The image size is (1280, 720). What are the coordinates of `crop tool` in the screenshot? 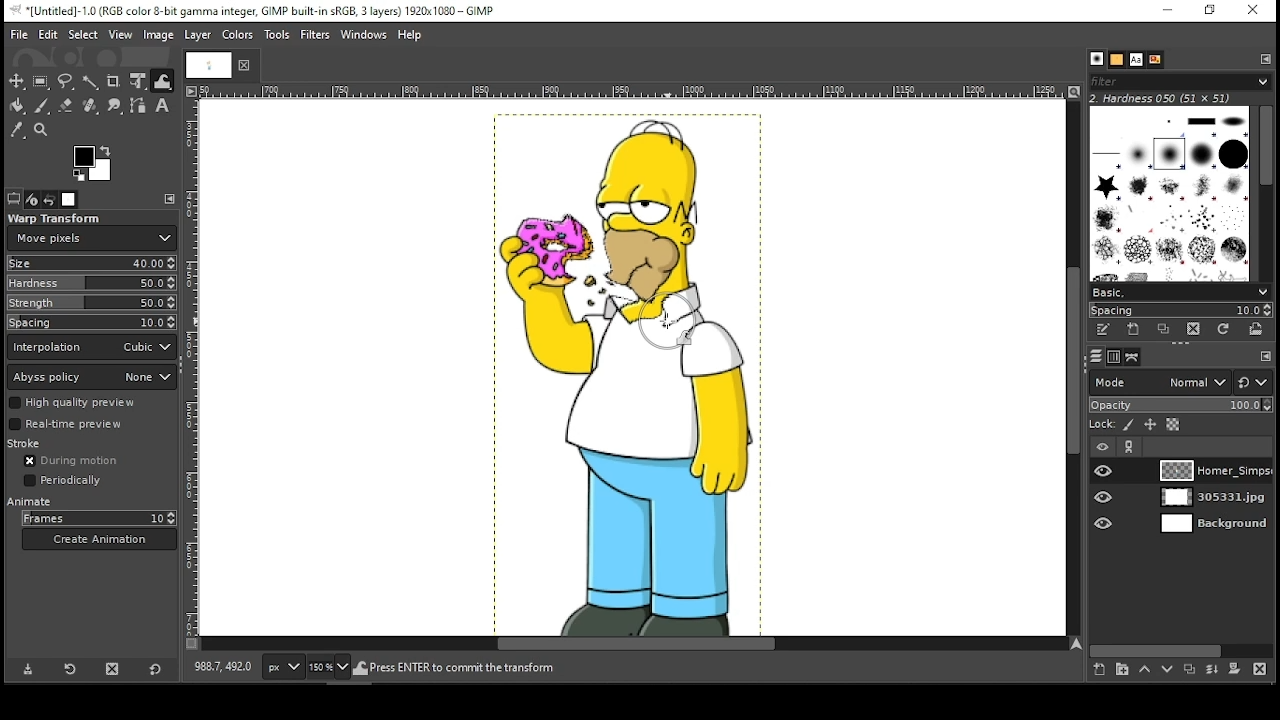 It's located at (114, 81).